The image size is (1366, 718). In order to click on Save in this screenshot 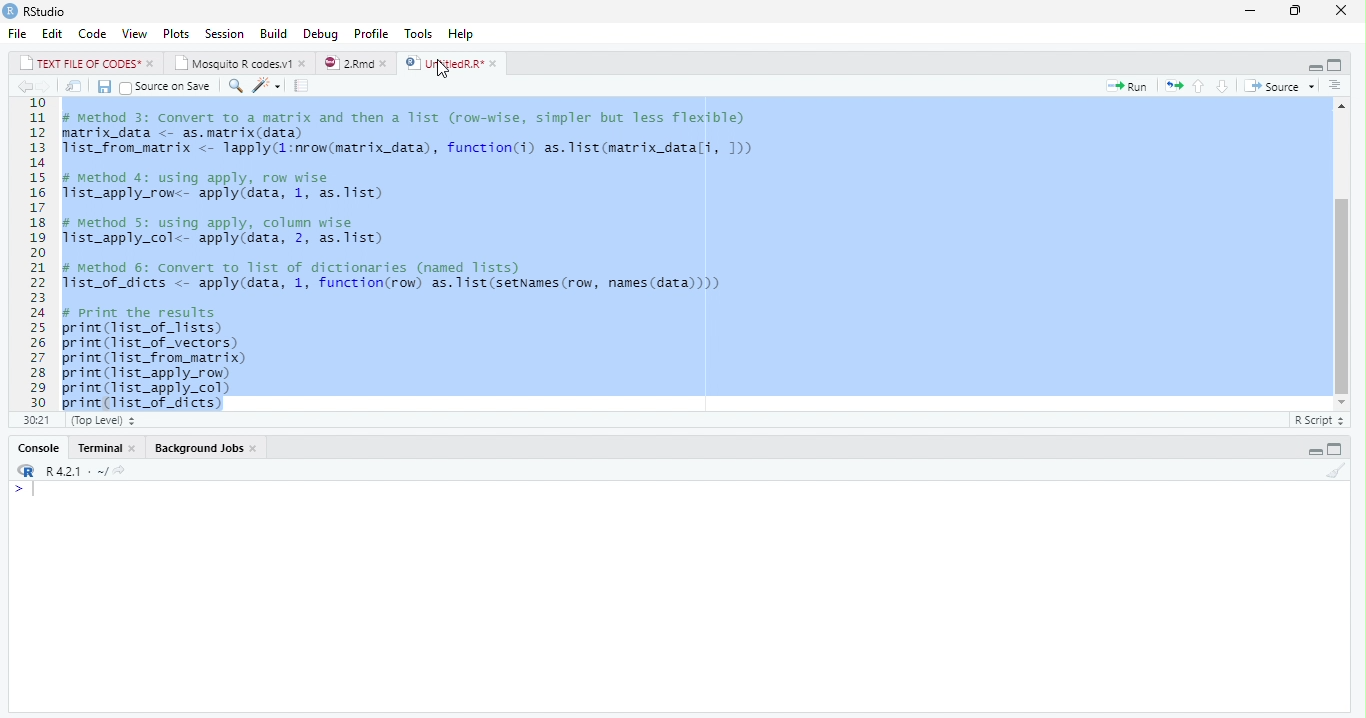, I will do `click(103, 87)`.